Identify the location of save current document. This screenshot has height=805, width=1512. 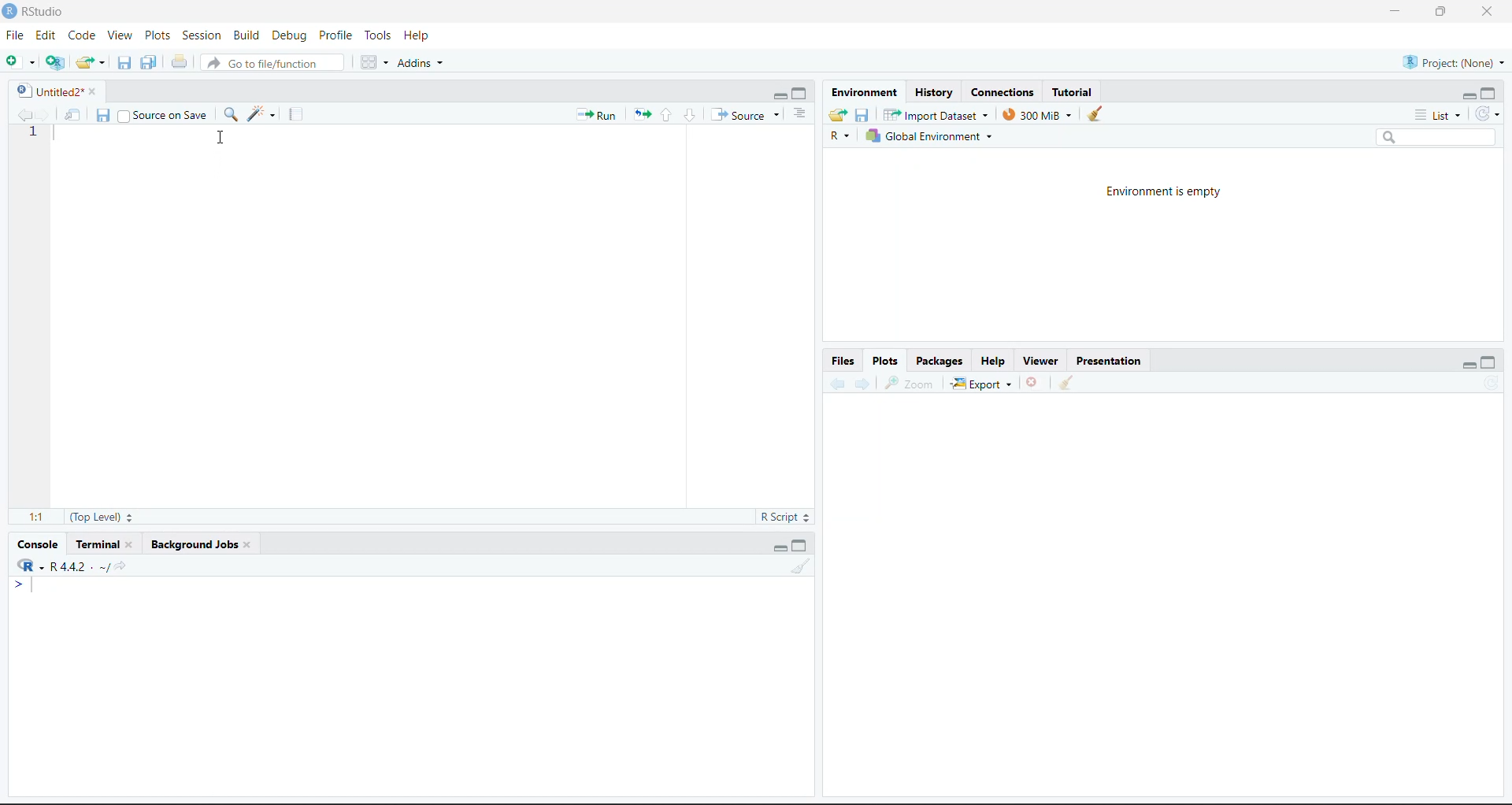
(102, 114).